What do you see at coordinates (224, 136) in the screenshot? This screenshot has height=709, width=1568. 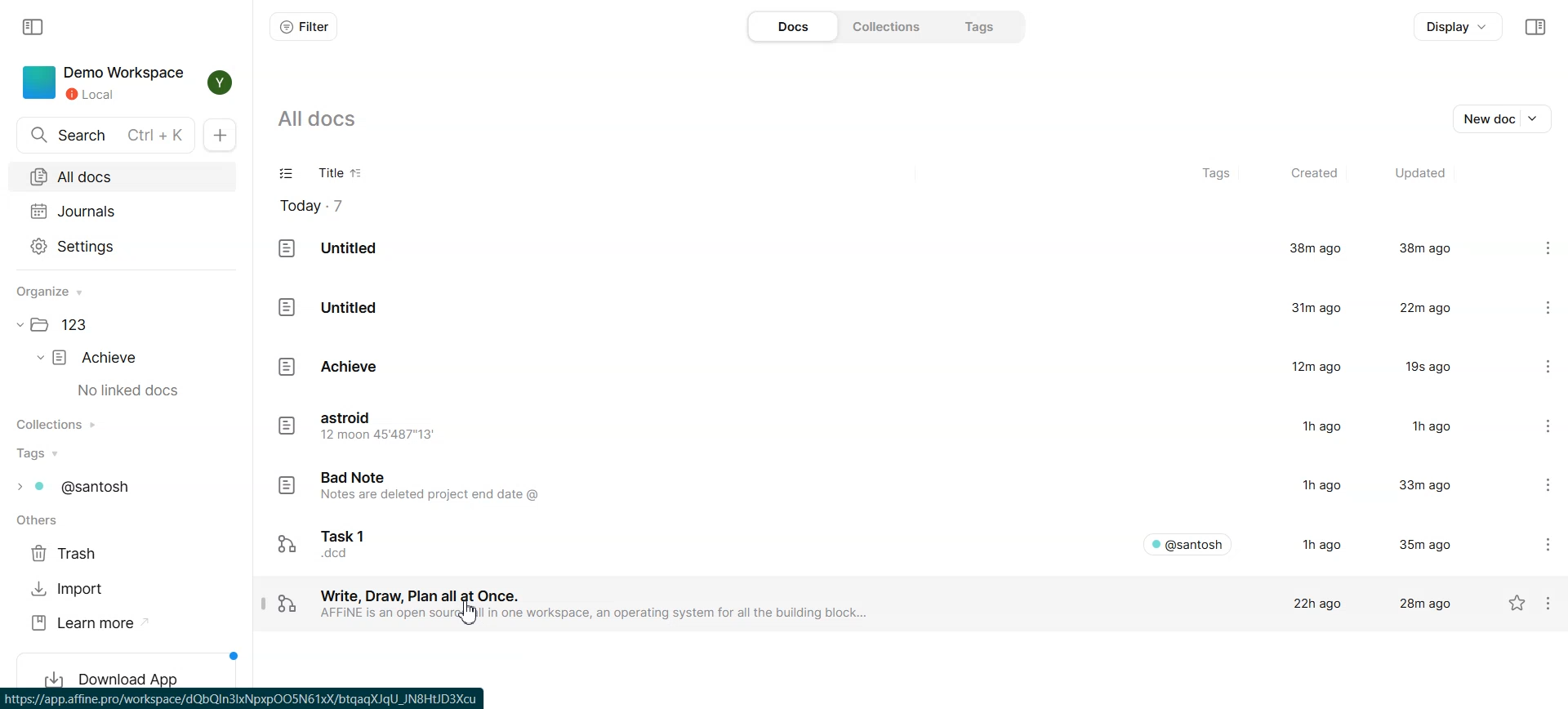 I see `New doc` at bounding box center [224, 136].